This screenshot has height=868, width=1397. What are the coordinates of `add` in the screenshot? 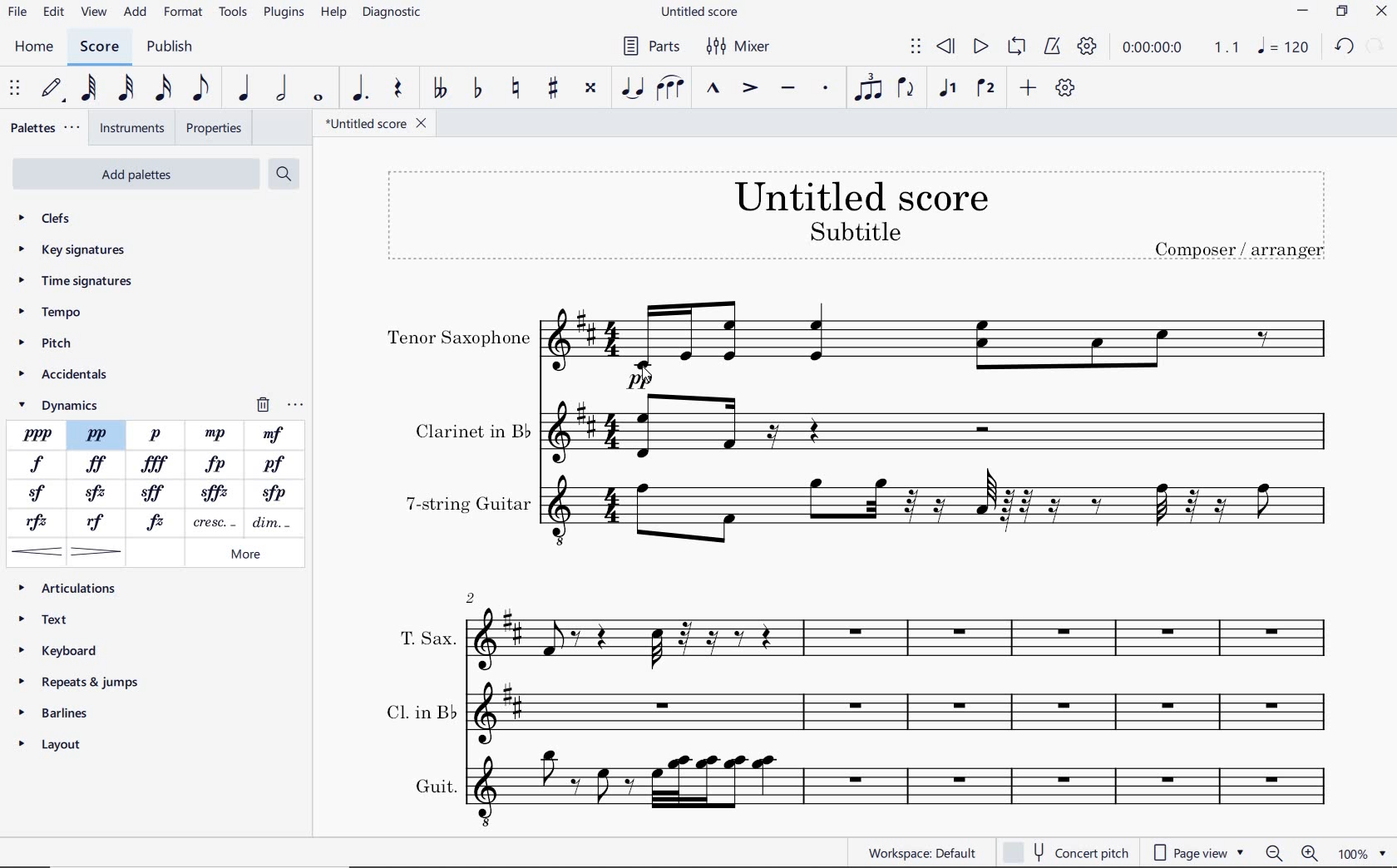 It's located at (136, 12).